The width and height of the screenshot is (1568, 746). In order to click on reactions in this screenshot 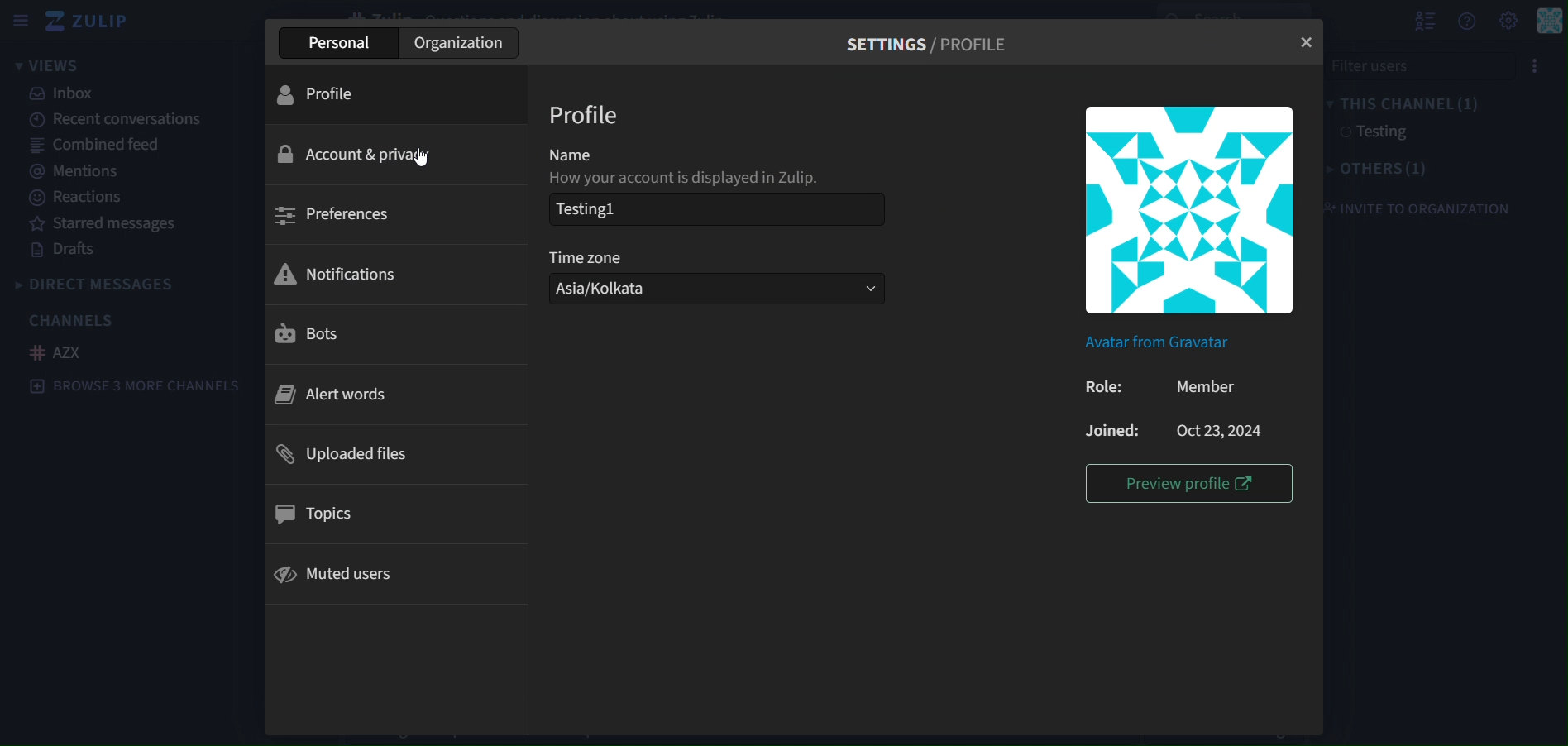, I will do `click(83, 198)`.